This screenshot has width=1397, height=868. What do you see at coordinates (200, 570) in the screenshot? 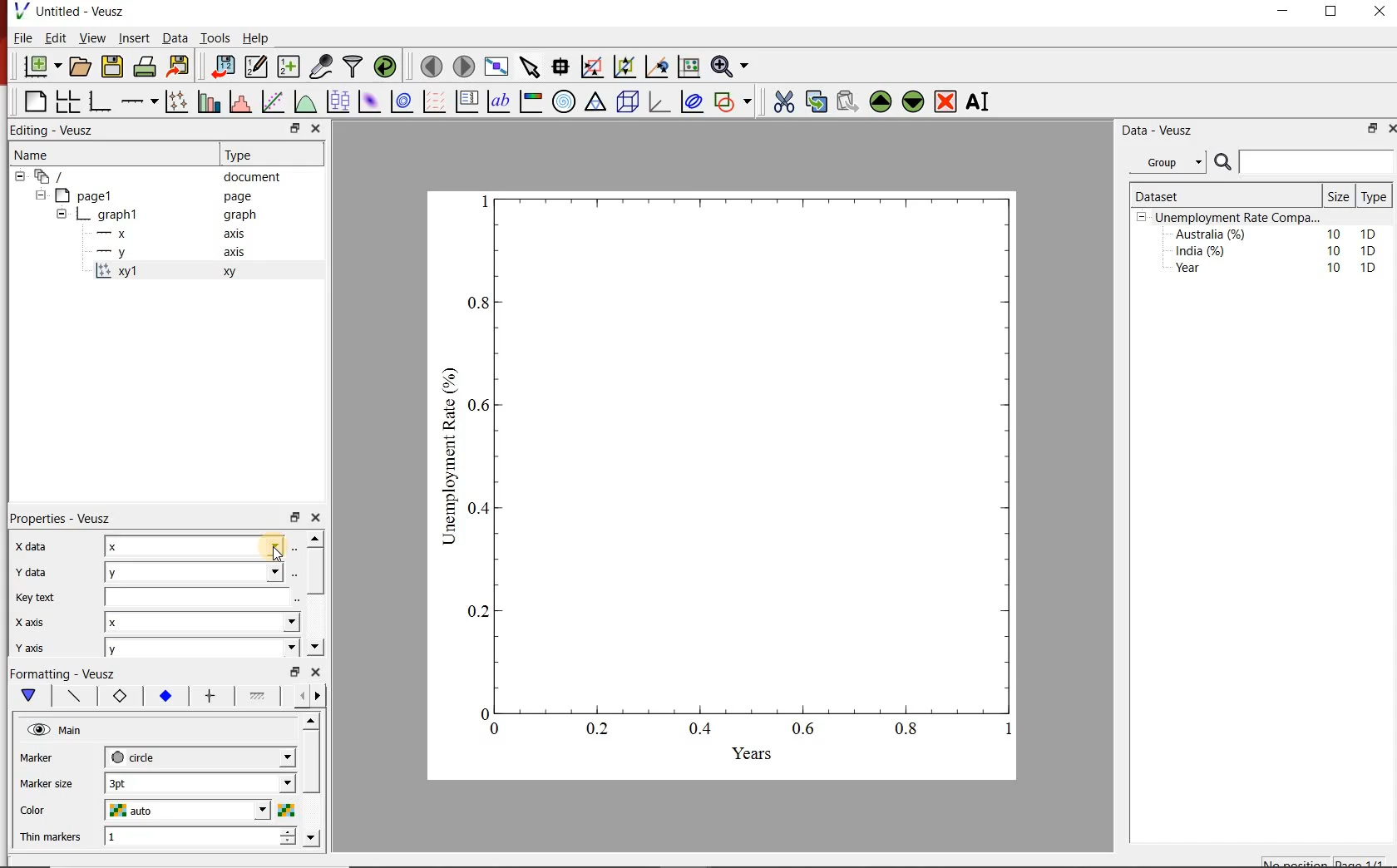
I see `y` at bounding box center [200, 570].